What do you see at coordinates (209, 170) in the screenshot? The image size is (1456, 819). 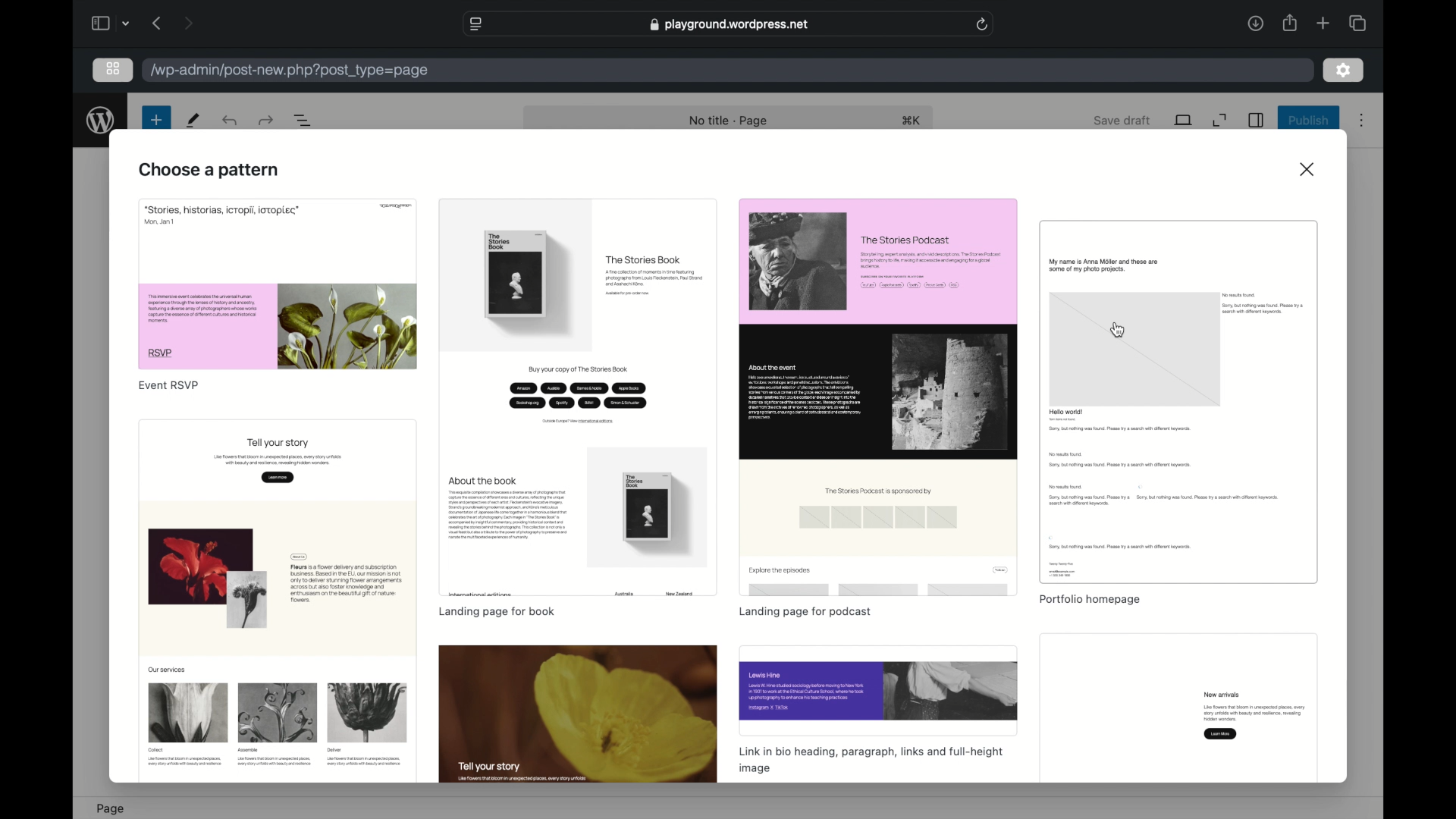 I see `choose a pattern` at bounding box center [209, 170].